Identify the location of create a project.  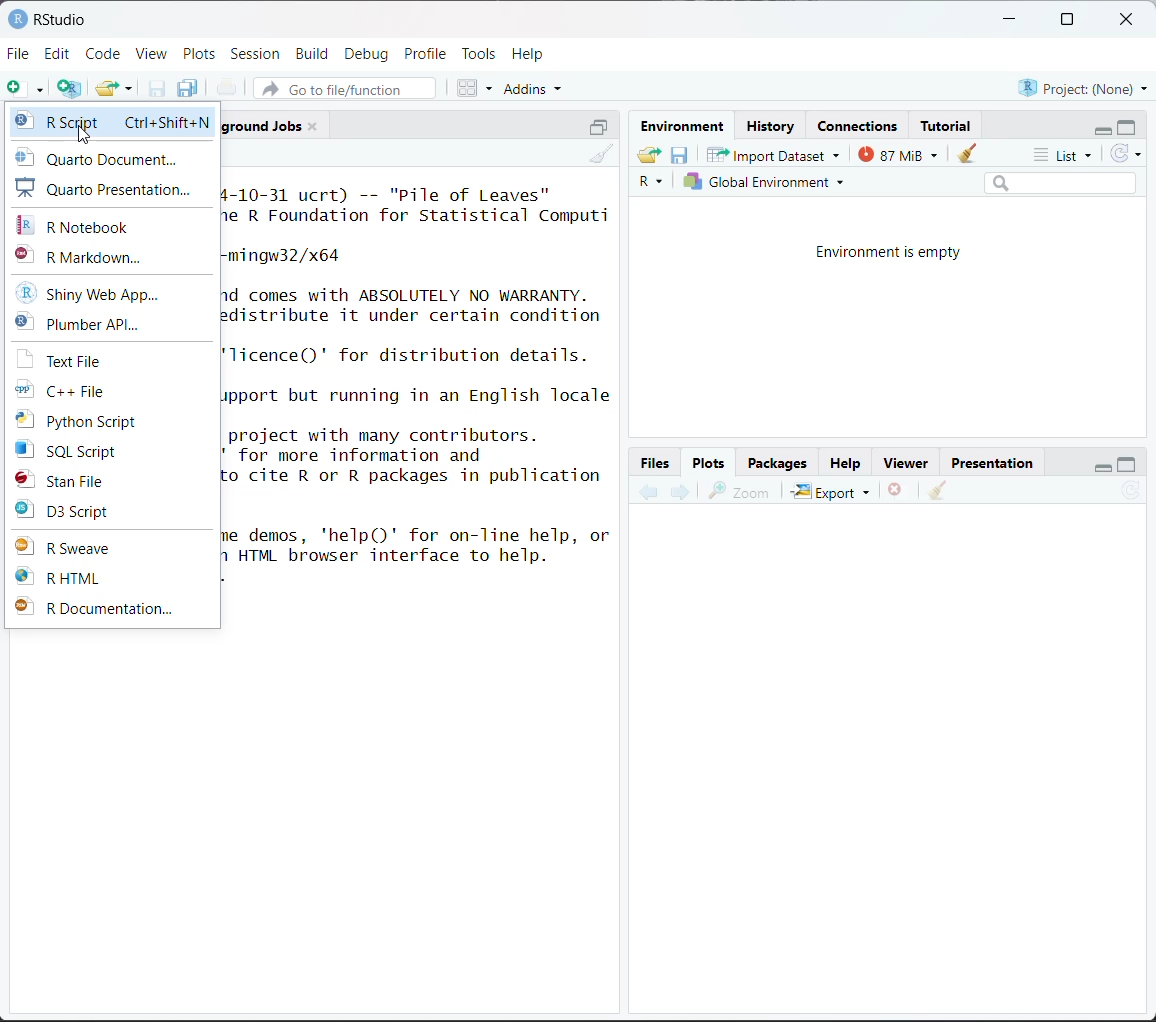
(69, 88).